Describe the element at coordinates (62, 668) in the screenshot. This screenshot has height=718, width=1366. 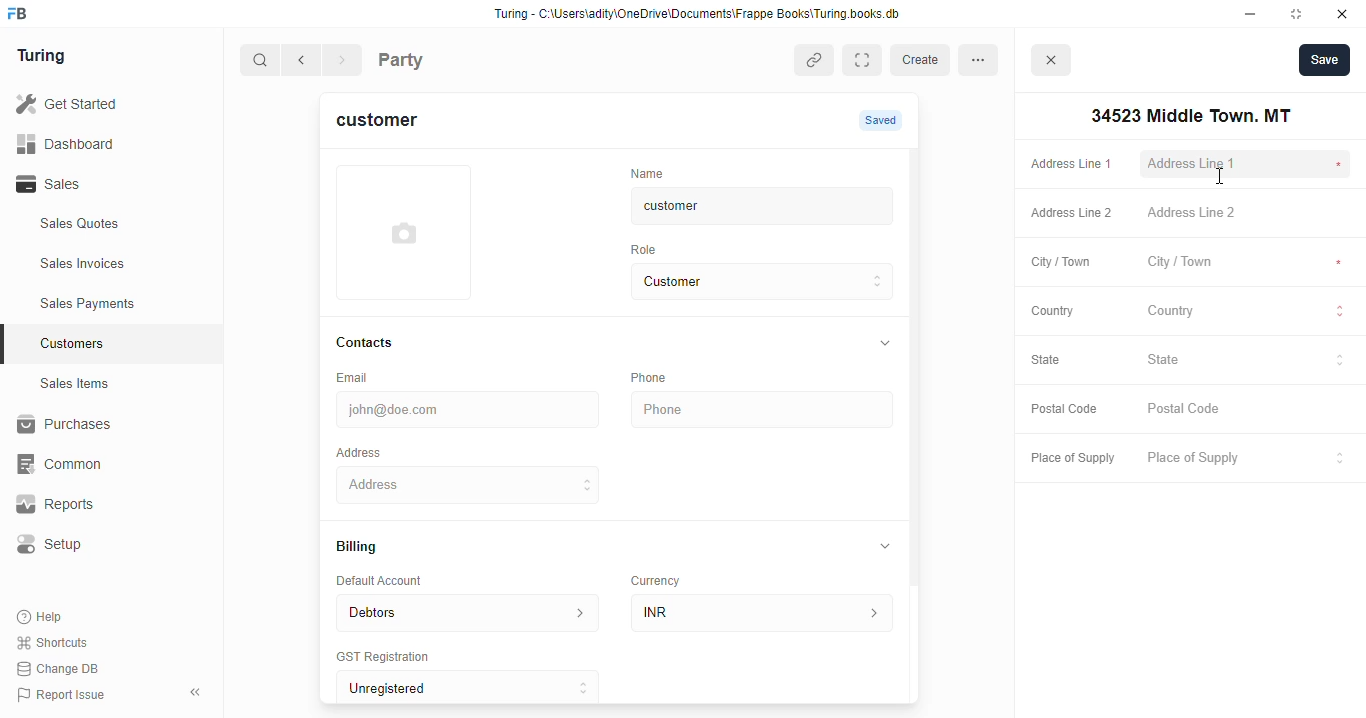
I see `Change DB` at that location.